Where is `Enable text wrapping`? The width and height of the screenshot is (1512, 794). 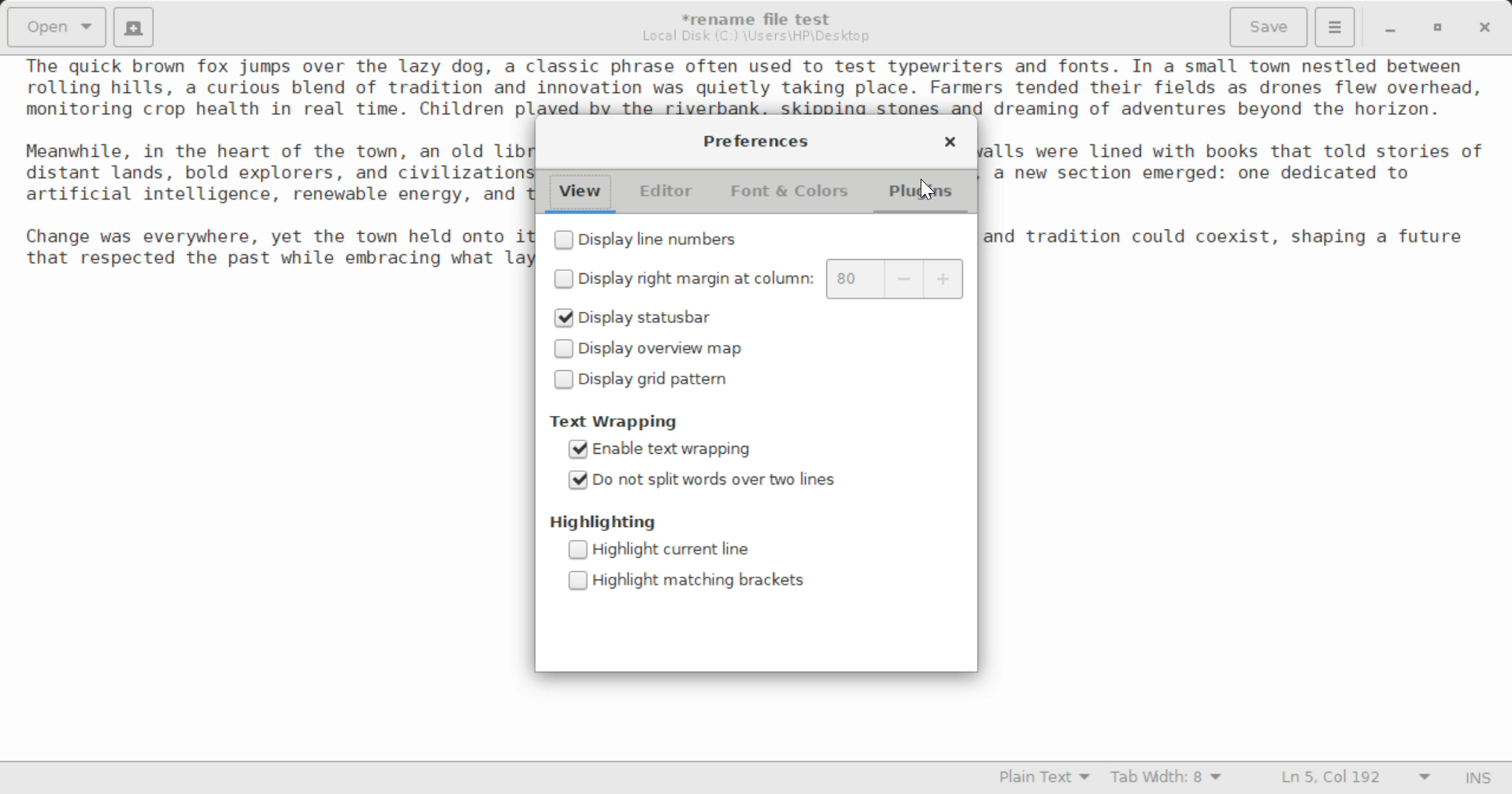
Enable text wrapping is located at coordinates (665, 451).